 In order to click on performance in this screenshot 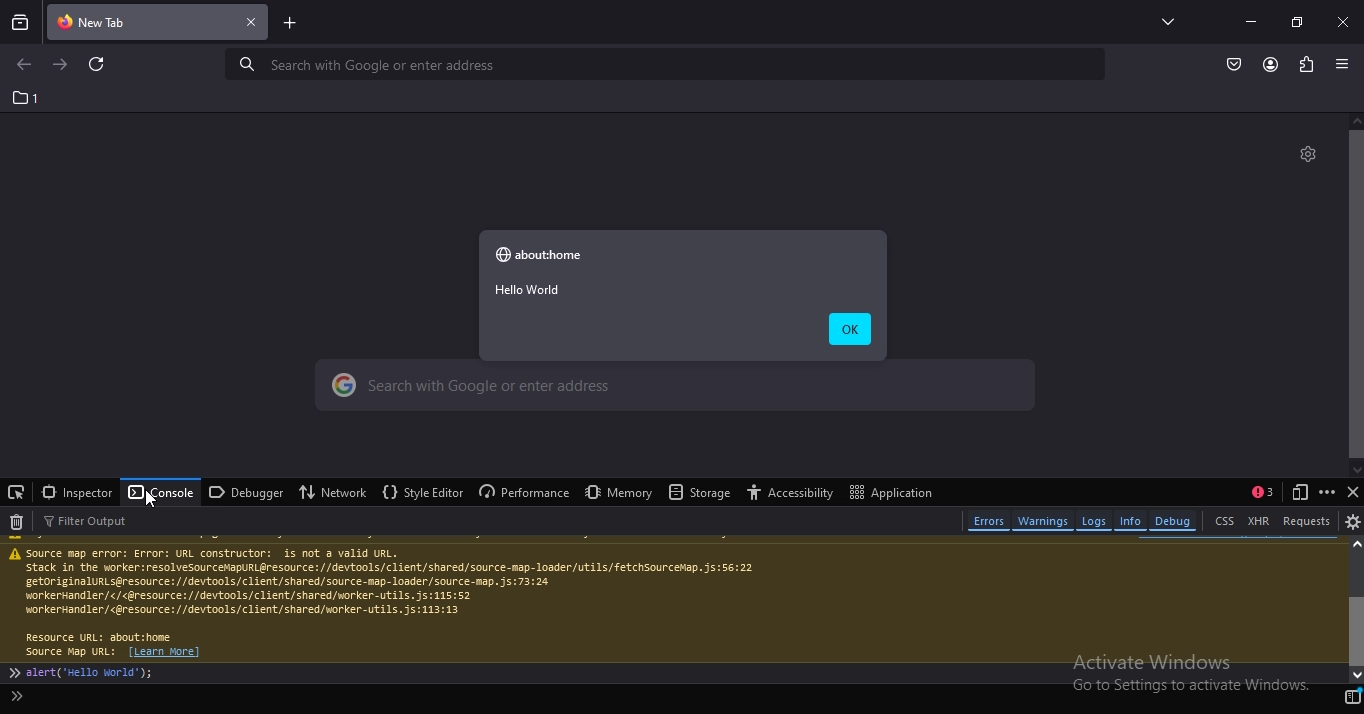, I will do `click(524, 490)`.